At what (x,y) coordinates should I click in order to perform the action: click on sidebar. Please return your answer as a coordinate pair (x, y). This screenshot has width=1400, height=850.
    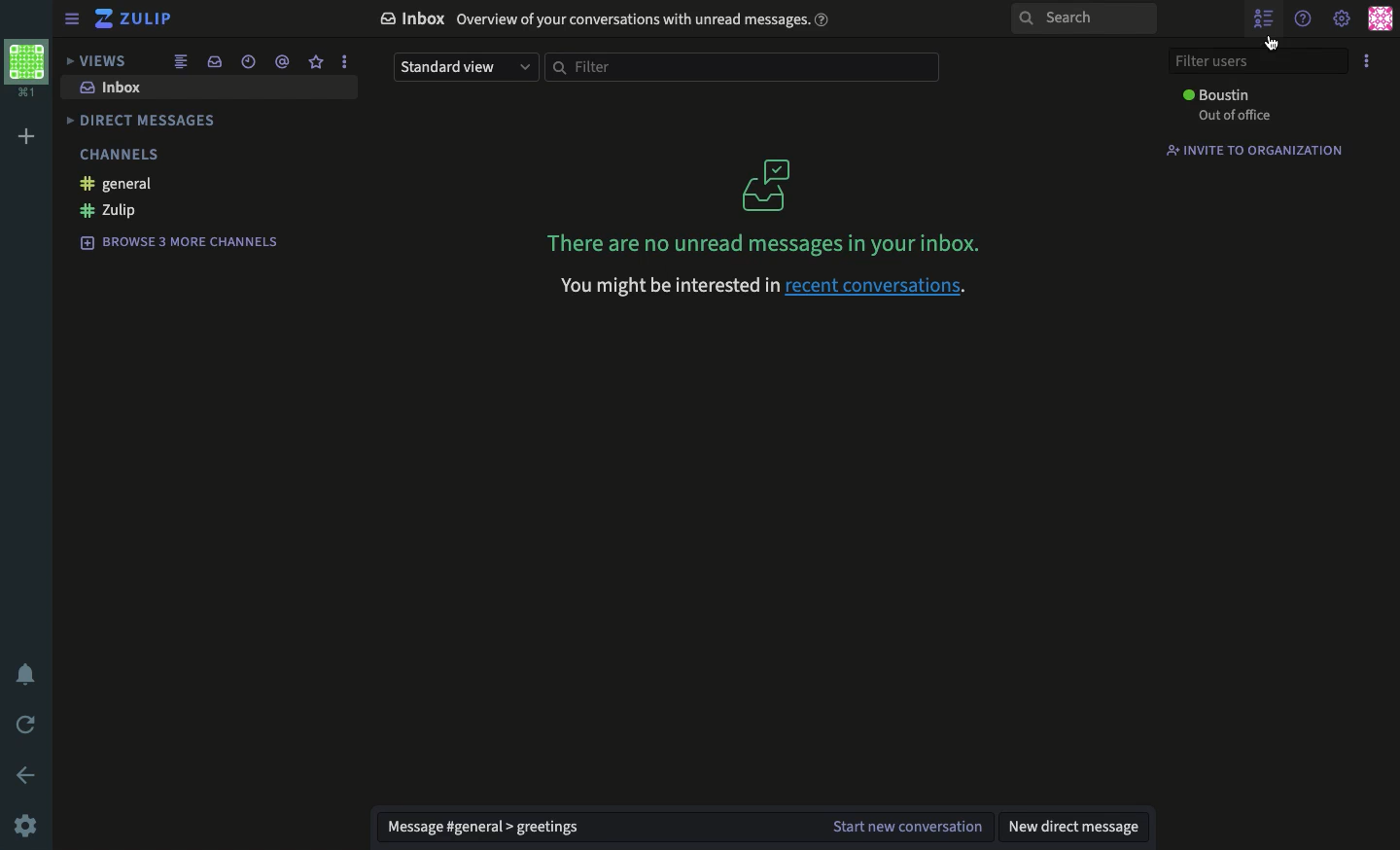
    Looking at the image, I should click on (74, 19).